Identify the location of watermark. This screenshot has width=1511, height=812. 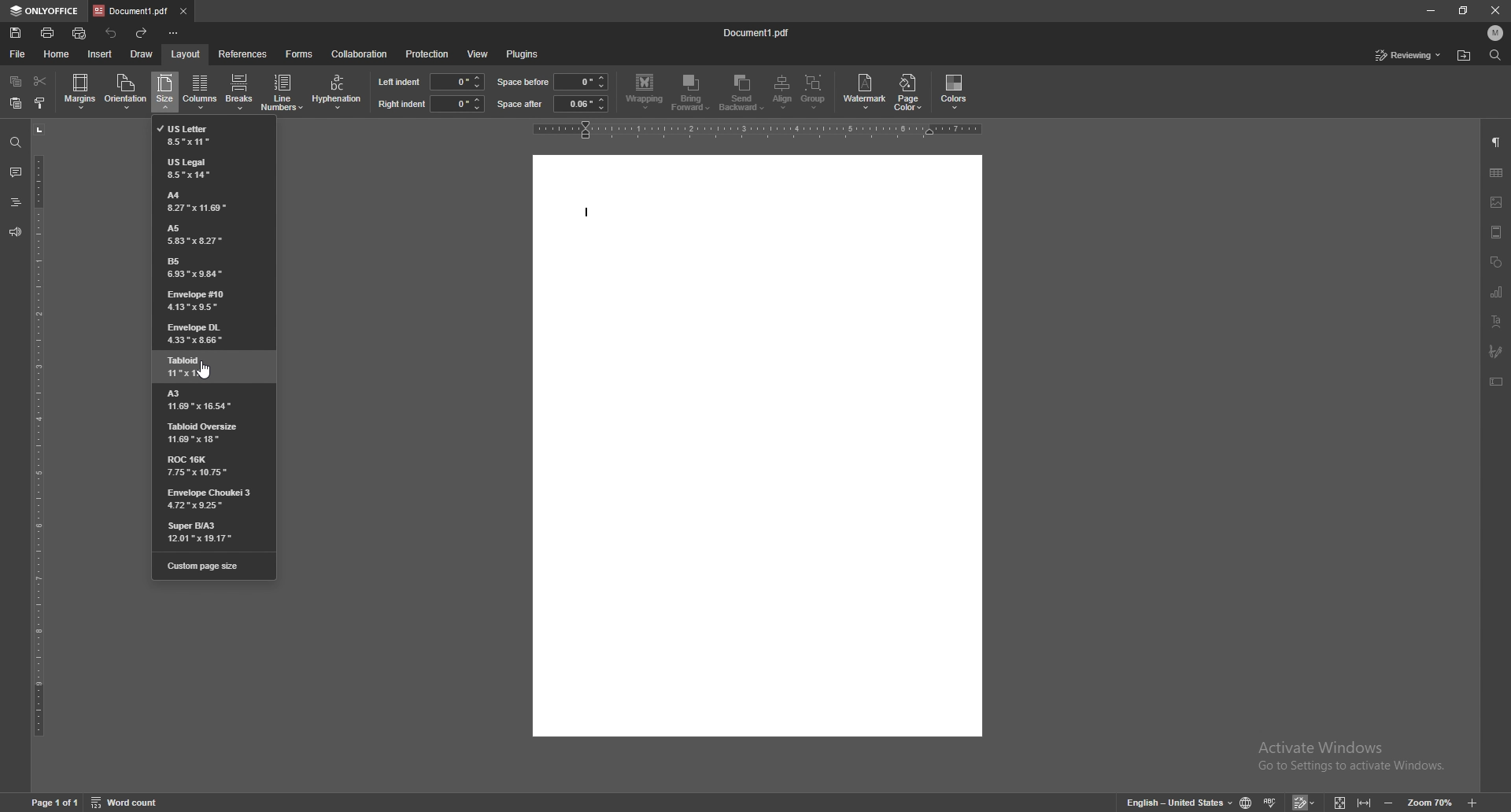
(866, 90).